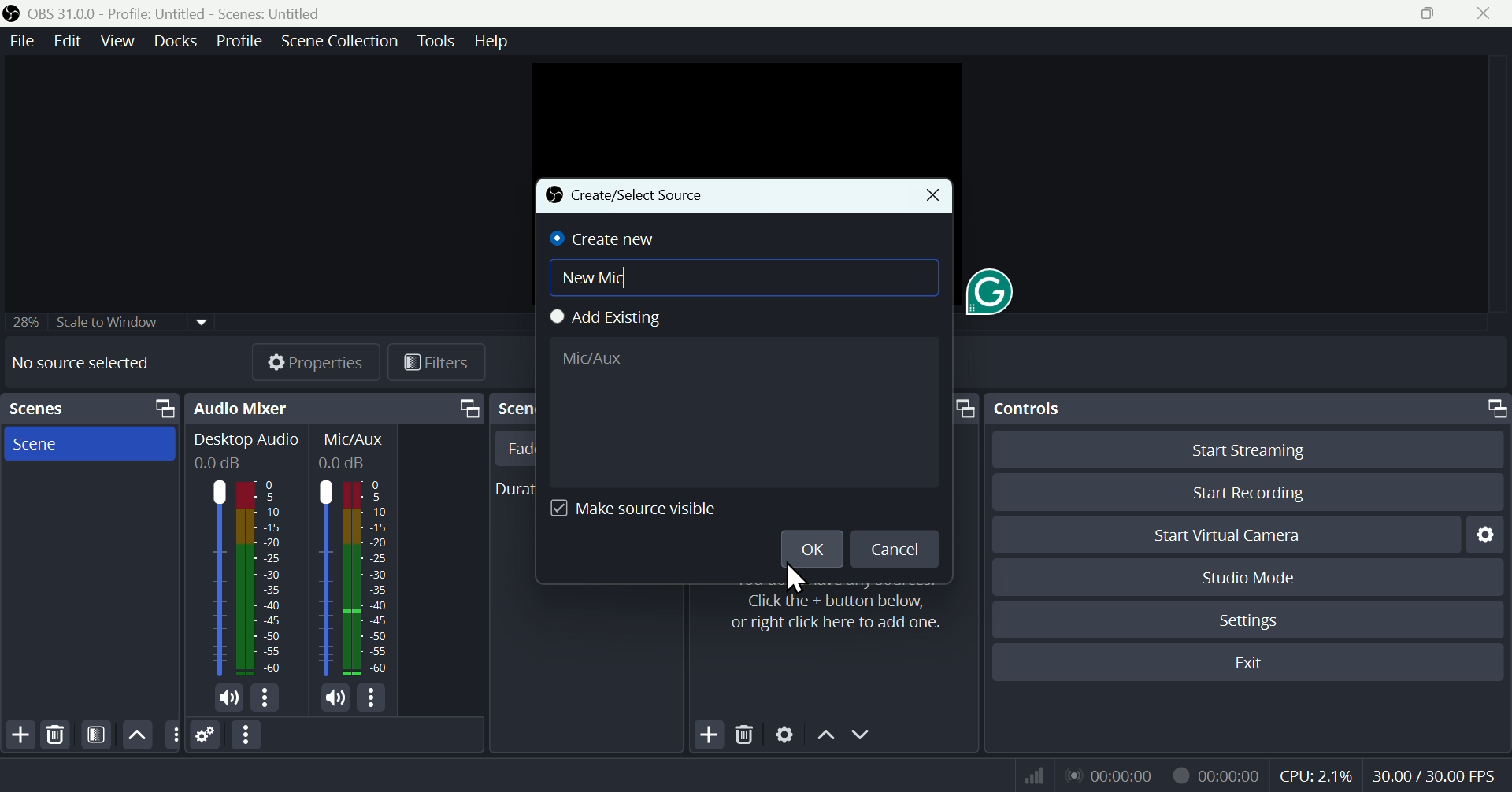  Describe the element at coordinates (86, 442) in the screenshot. I see `Scene` at that location.